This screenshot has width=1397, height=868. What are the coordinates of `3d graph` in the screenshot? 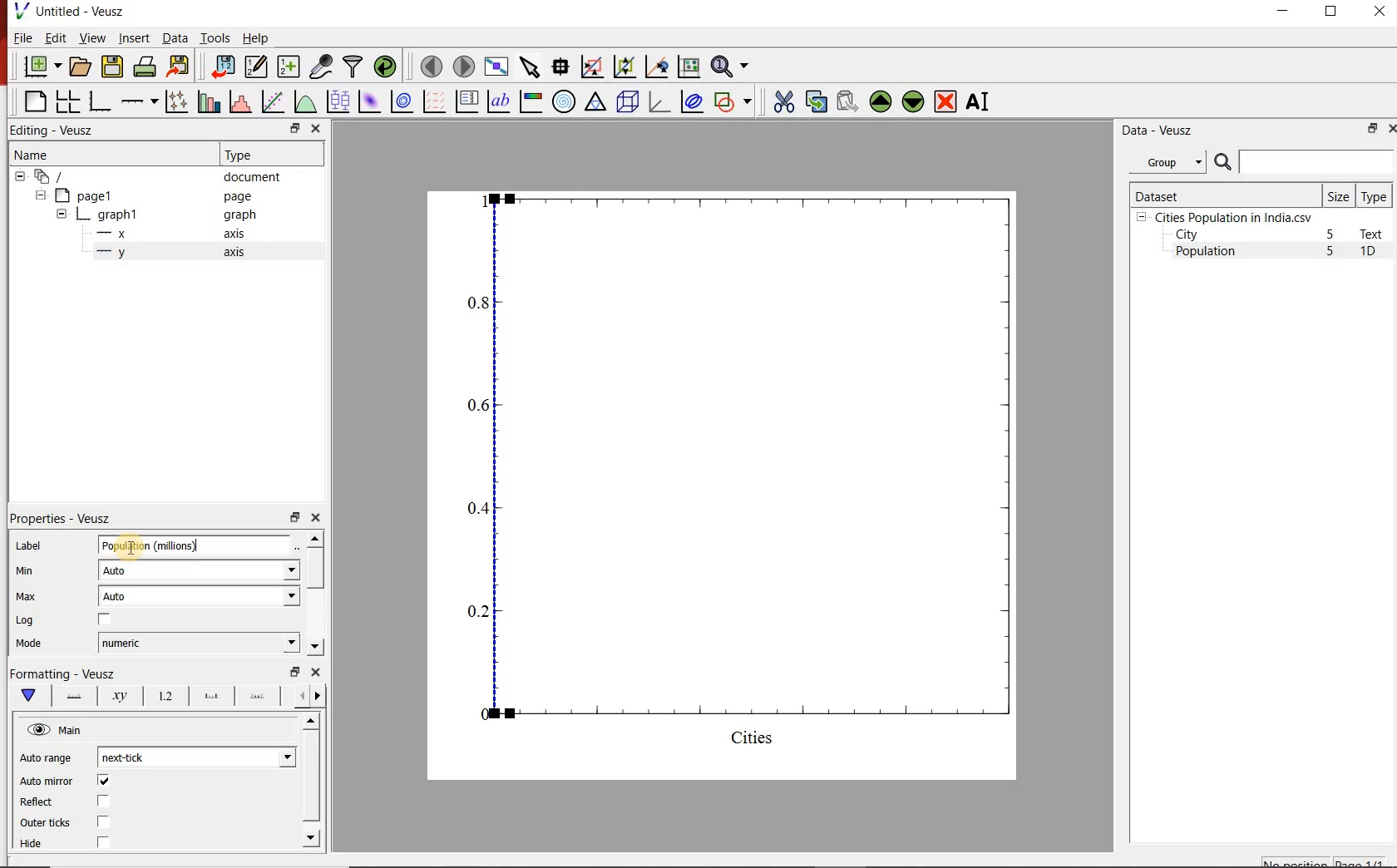 It's located at (658, 101).